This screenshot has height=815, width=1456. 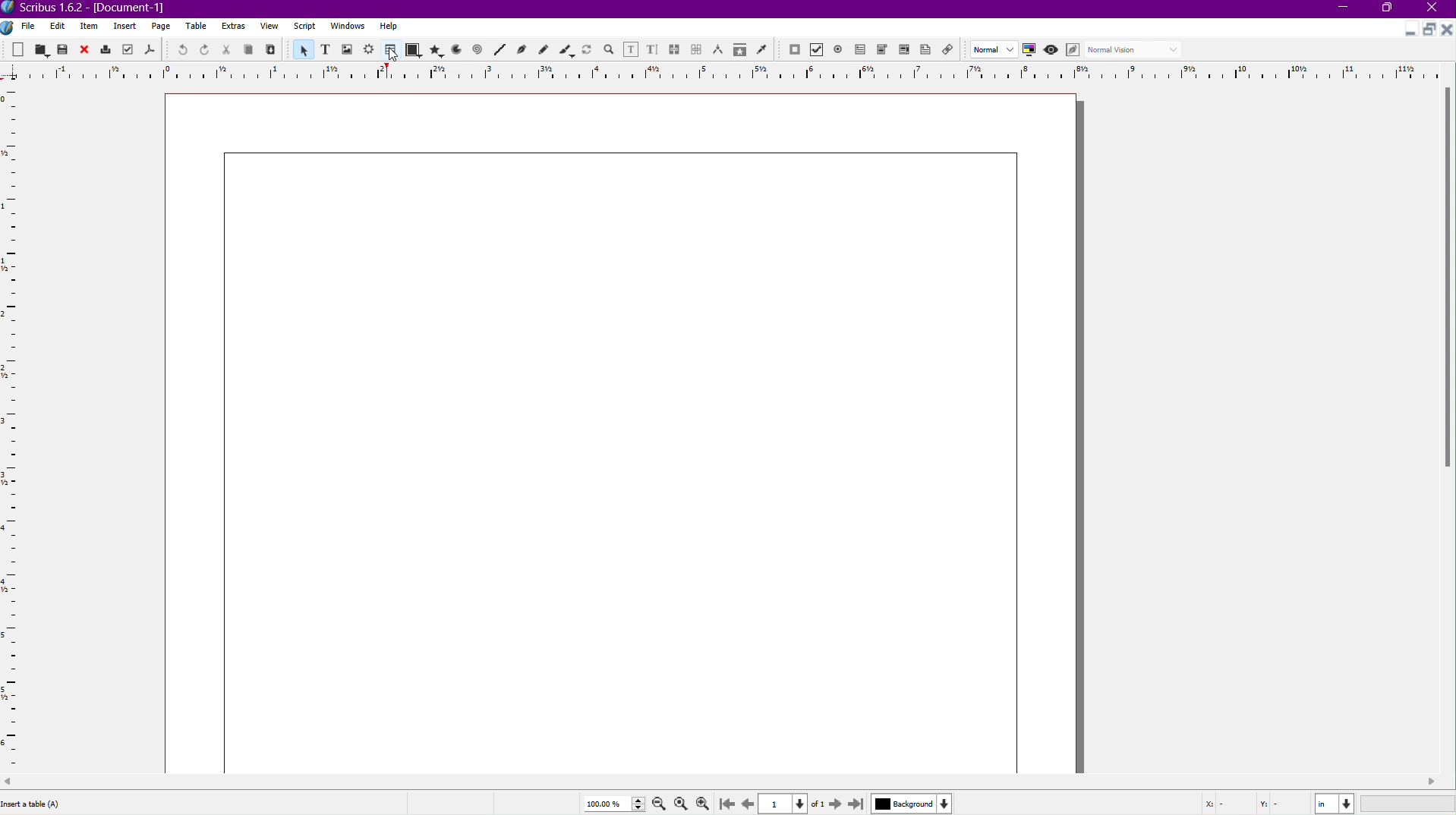 What do you see at coordinates (1032, 52) in the screenshot?
I see `Toggle Color Management System` at bounding box center [1032, 52].